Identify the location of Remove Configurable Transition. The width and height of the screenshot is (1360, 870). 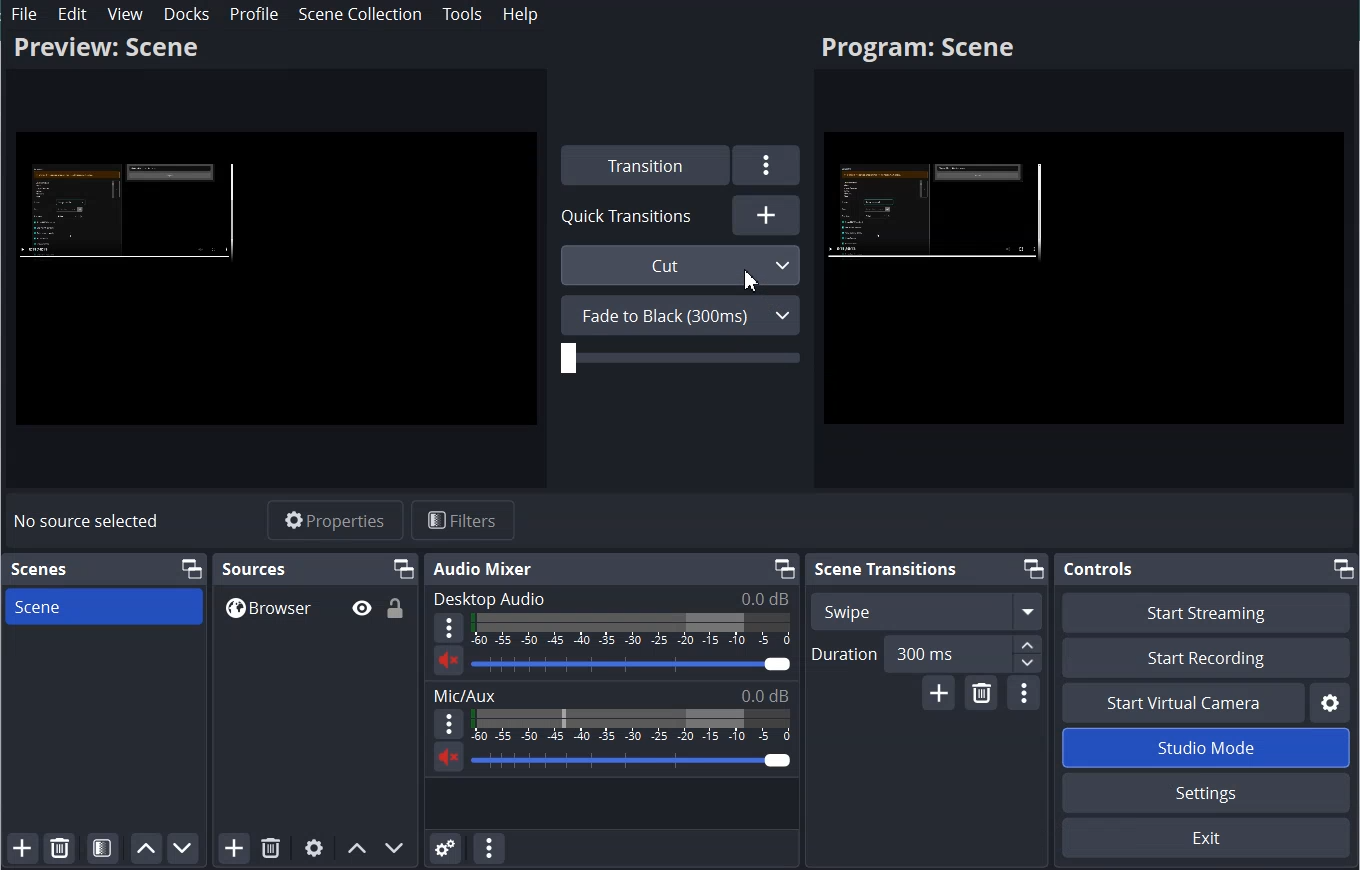
(981, 693).